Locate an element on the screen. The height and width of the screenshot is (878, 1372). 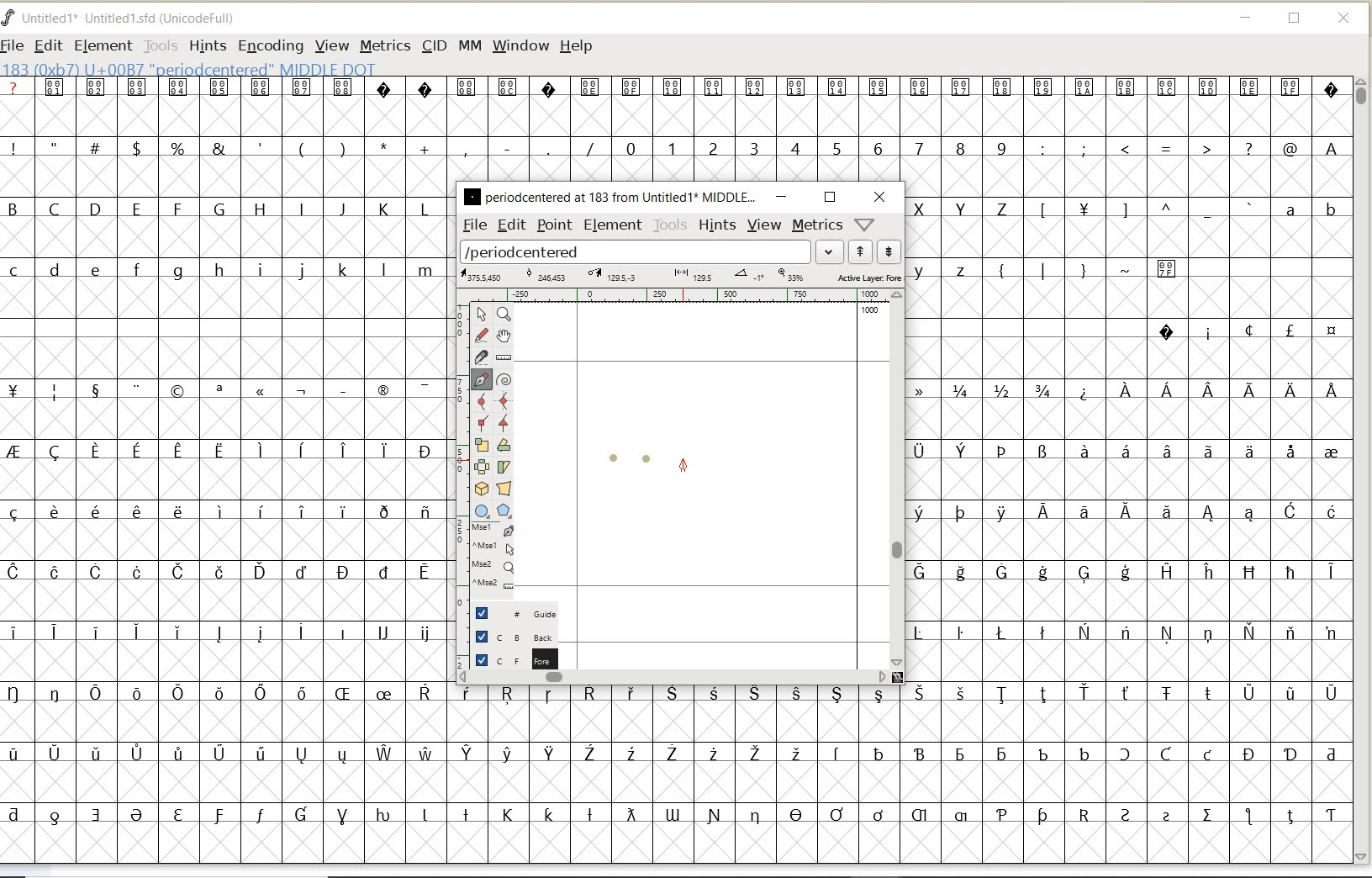
hints is located at coordinates (718, 225).